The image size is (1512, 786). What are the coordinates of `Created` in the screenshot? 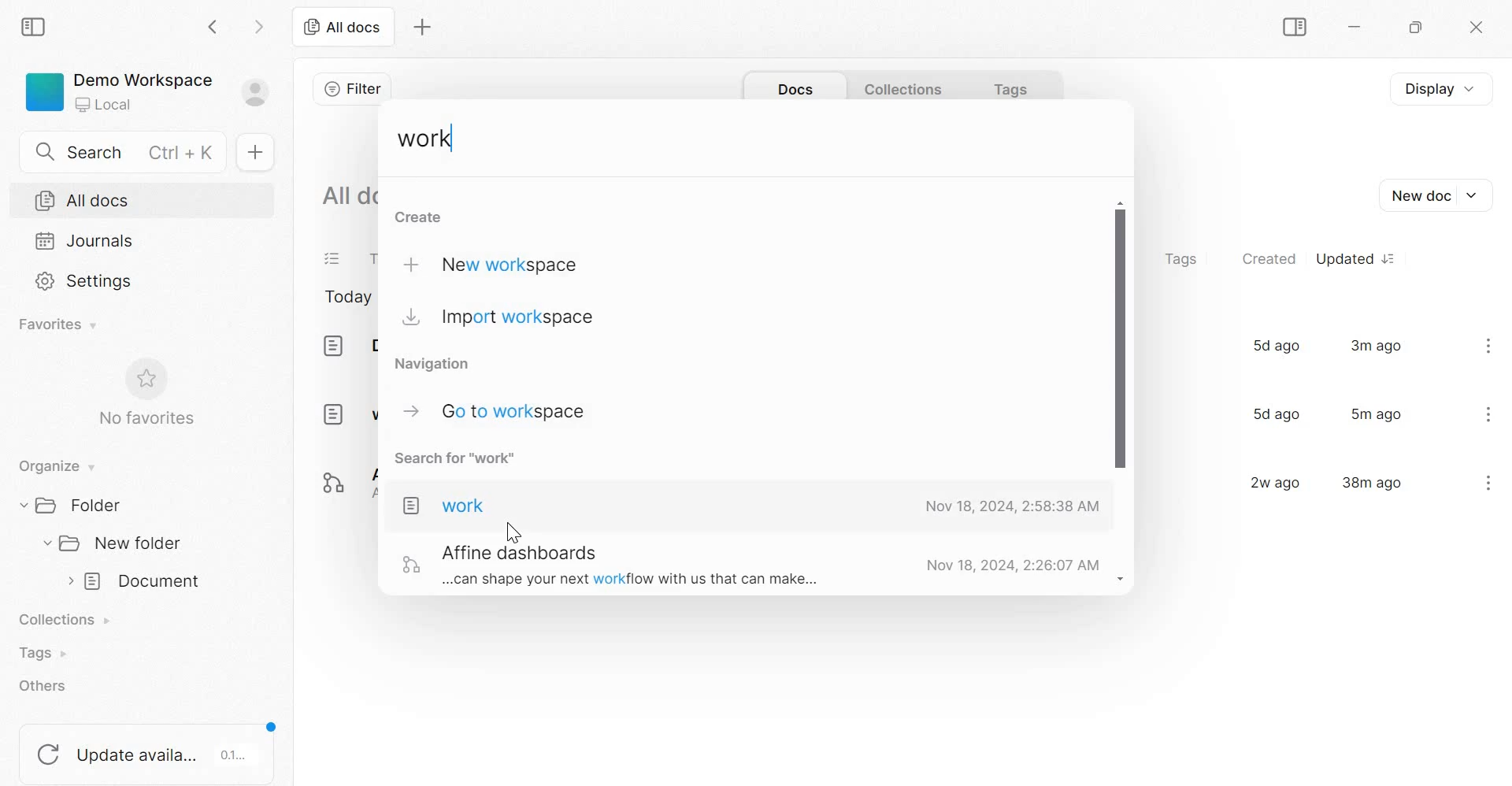 It's located at (1269, 258).